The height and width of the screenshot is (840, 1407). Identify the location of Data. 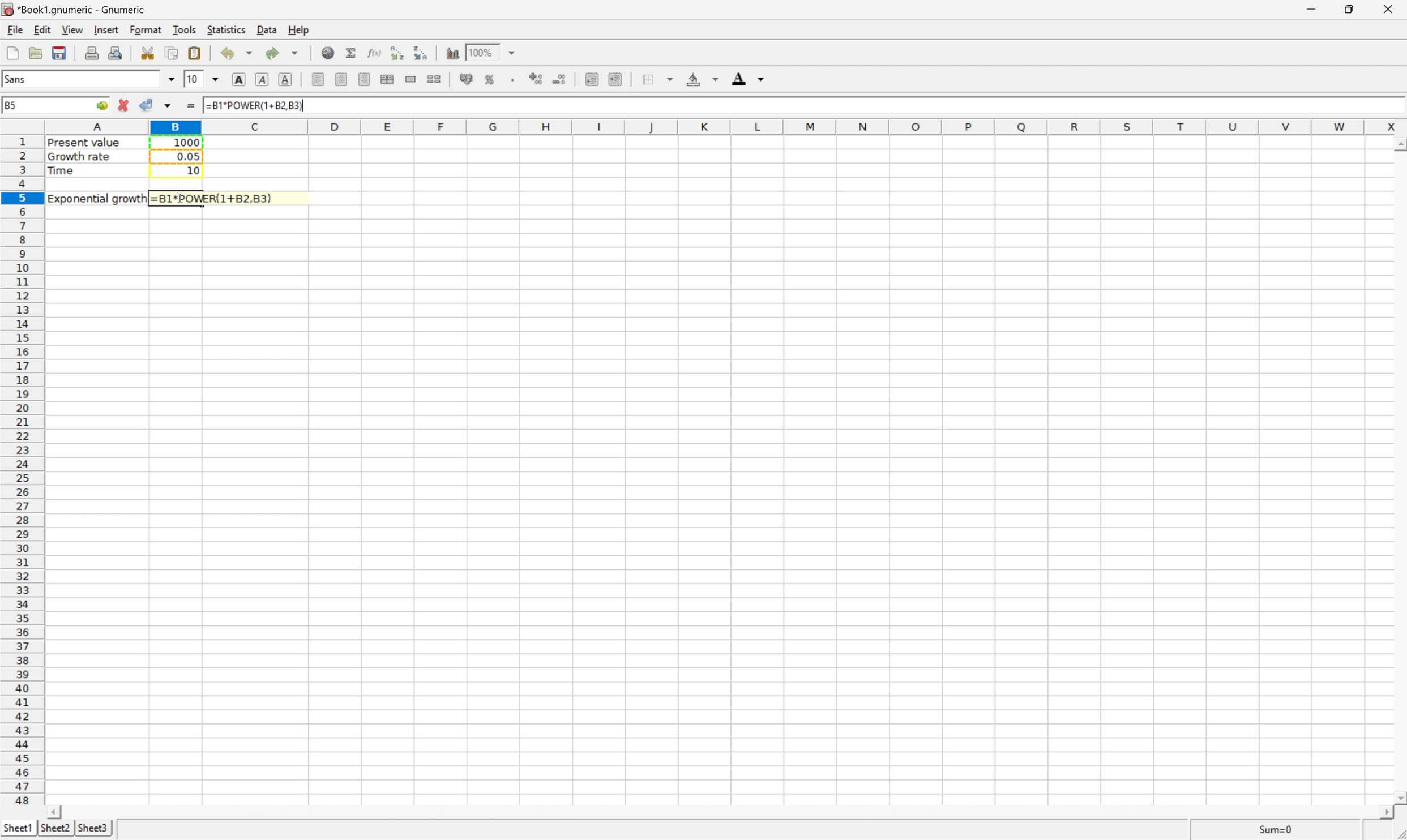
(267, 31).